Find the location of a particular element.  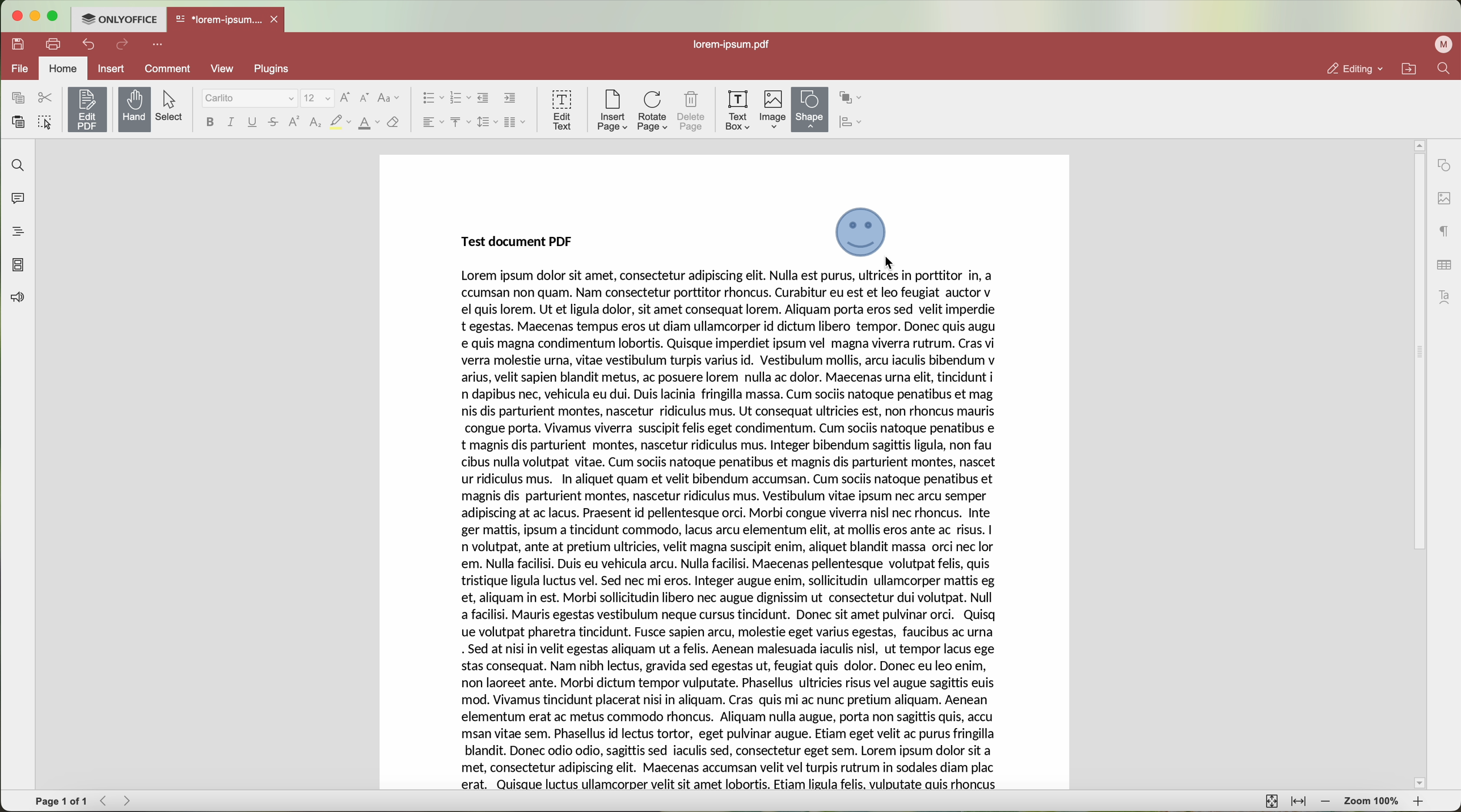

shape settings is located at coordinates (1444, 165).